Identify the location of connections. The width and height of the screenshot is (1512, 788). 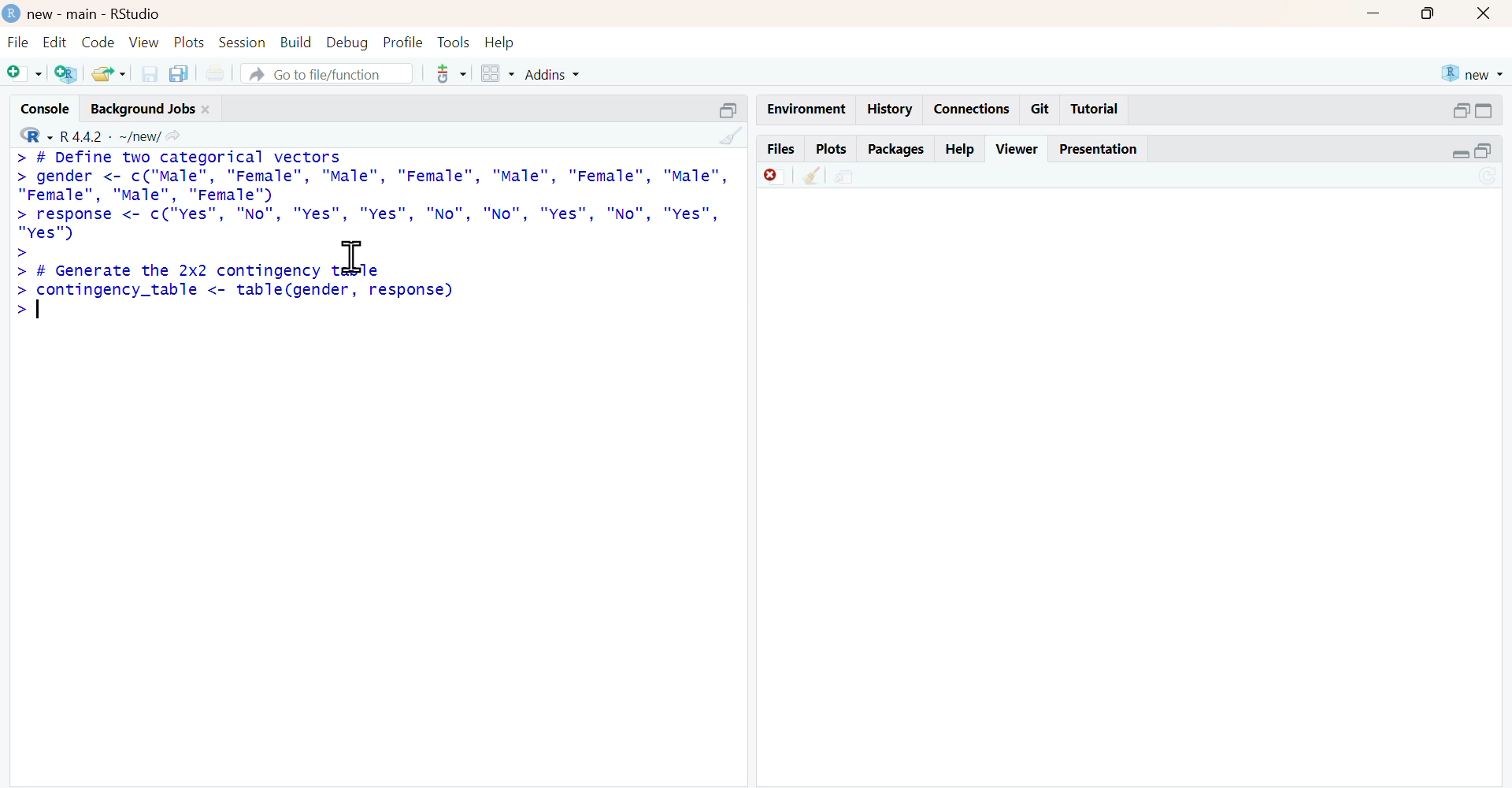
(973, 110).